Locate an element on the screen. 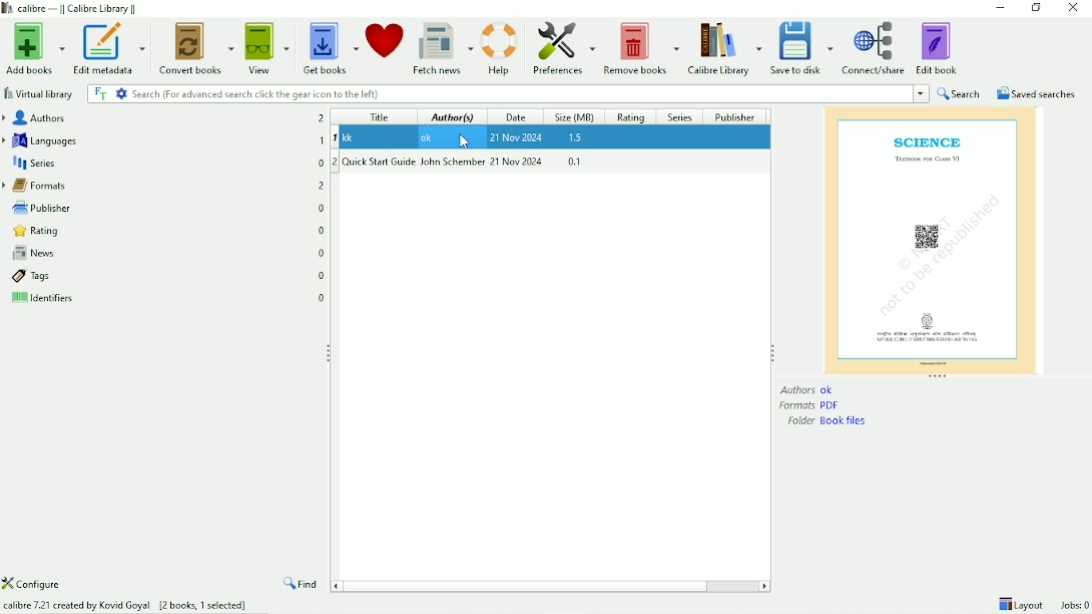 The image size is (1092, 614). Remove books is located at coordinates (641, 49).